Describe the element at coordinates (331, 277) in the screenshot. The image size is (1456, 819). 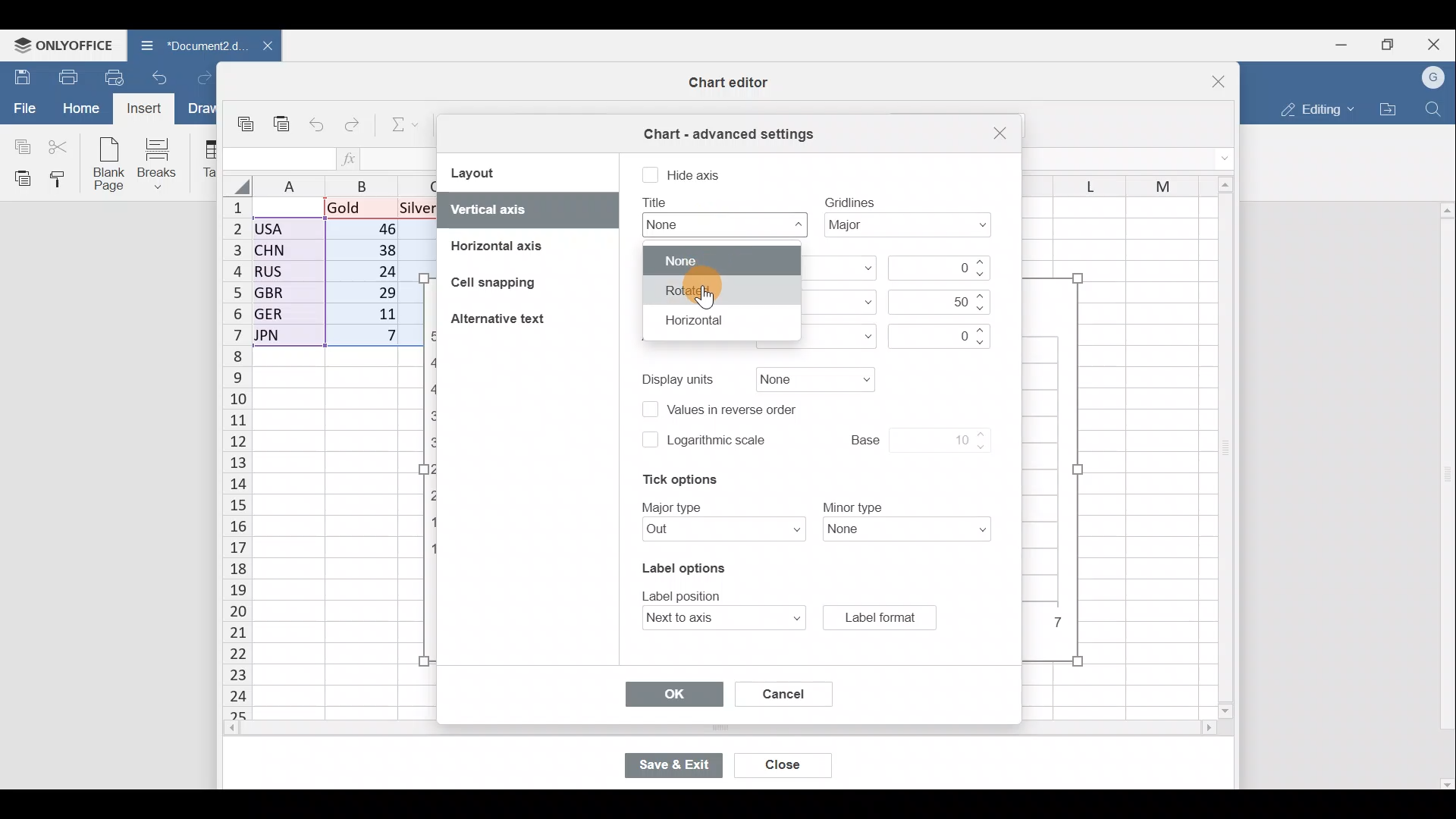
I see `Data` at that location.